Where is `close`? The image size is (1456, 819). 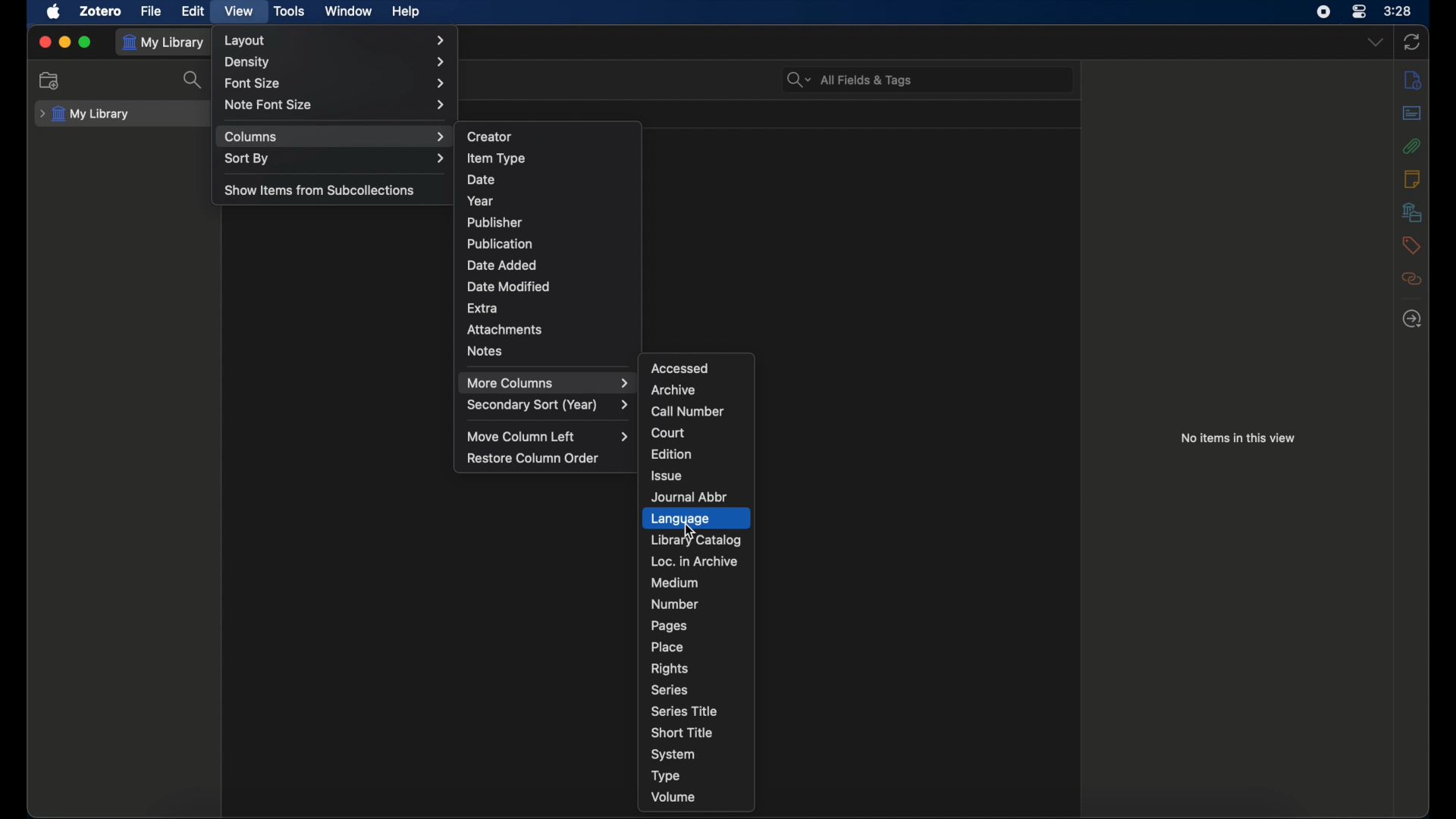 close is located at coordinates (44, 42).